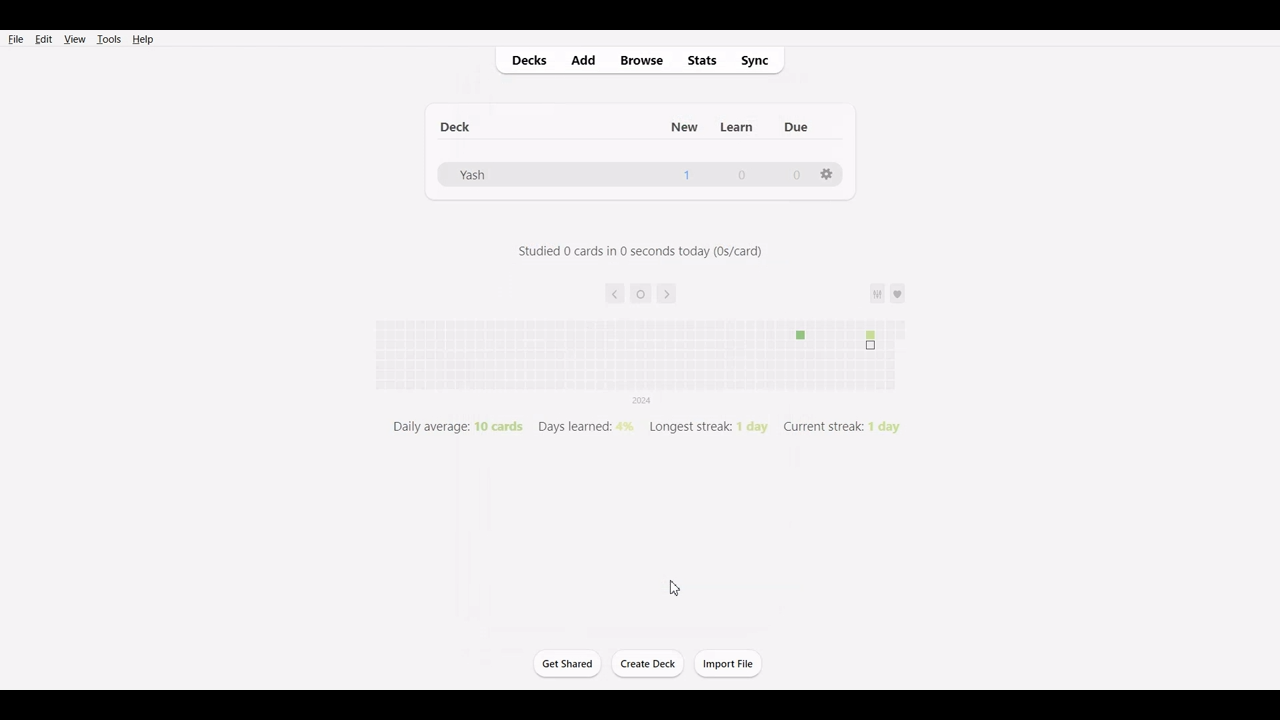  What do you see at coordinates (142, 39) in the screenshot?
I see `Help` at bounding box center [142, 39].